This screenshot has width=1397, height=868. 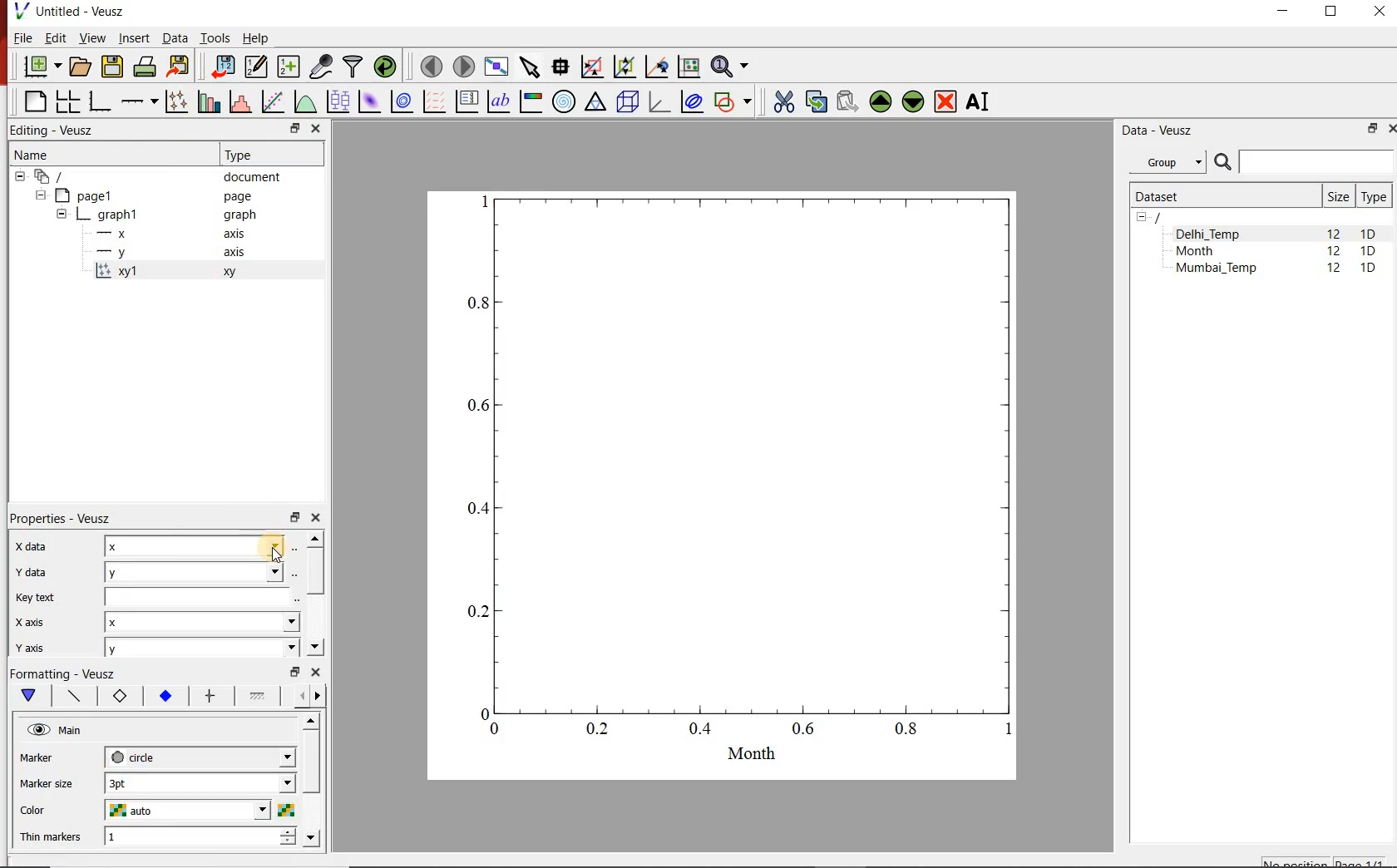 I want to click on new document, so click(x=41, y=67).